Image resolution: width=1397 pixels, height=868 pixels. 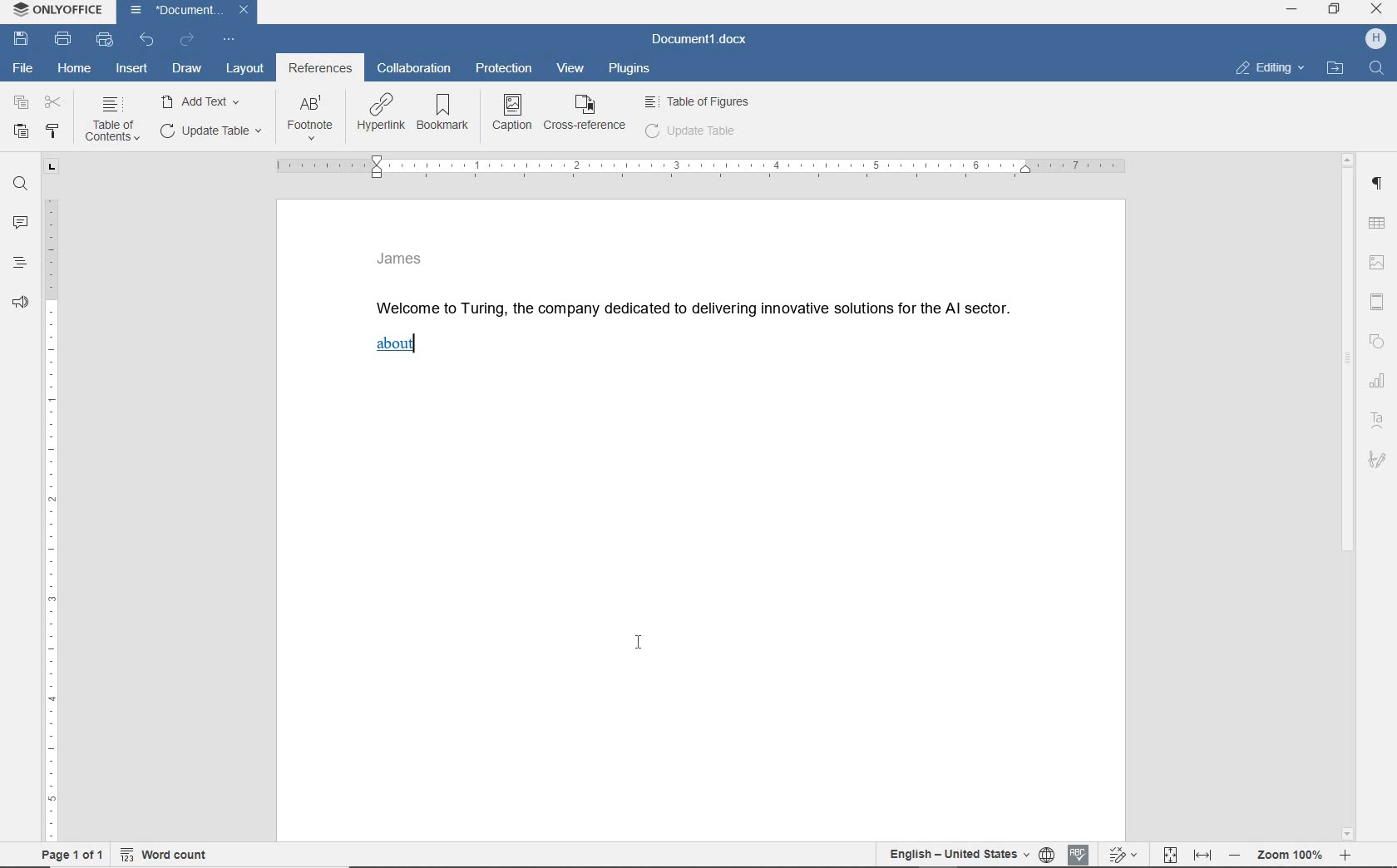 I want to click on zoom out, so click(x=1238, y=857).